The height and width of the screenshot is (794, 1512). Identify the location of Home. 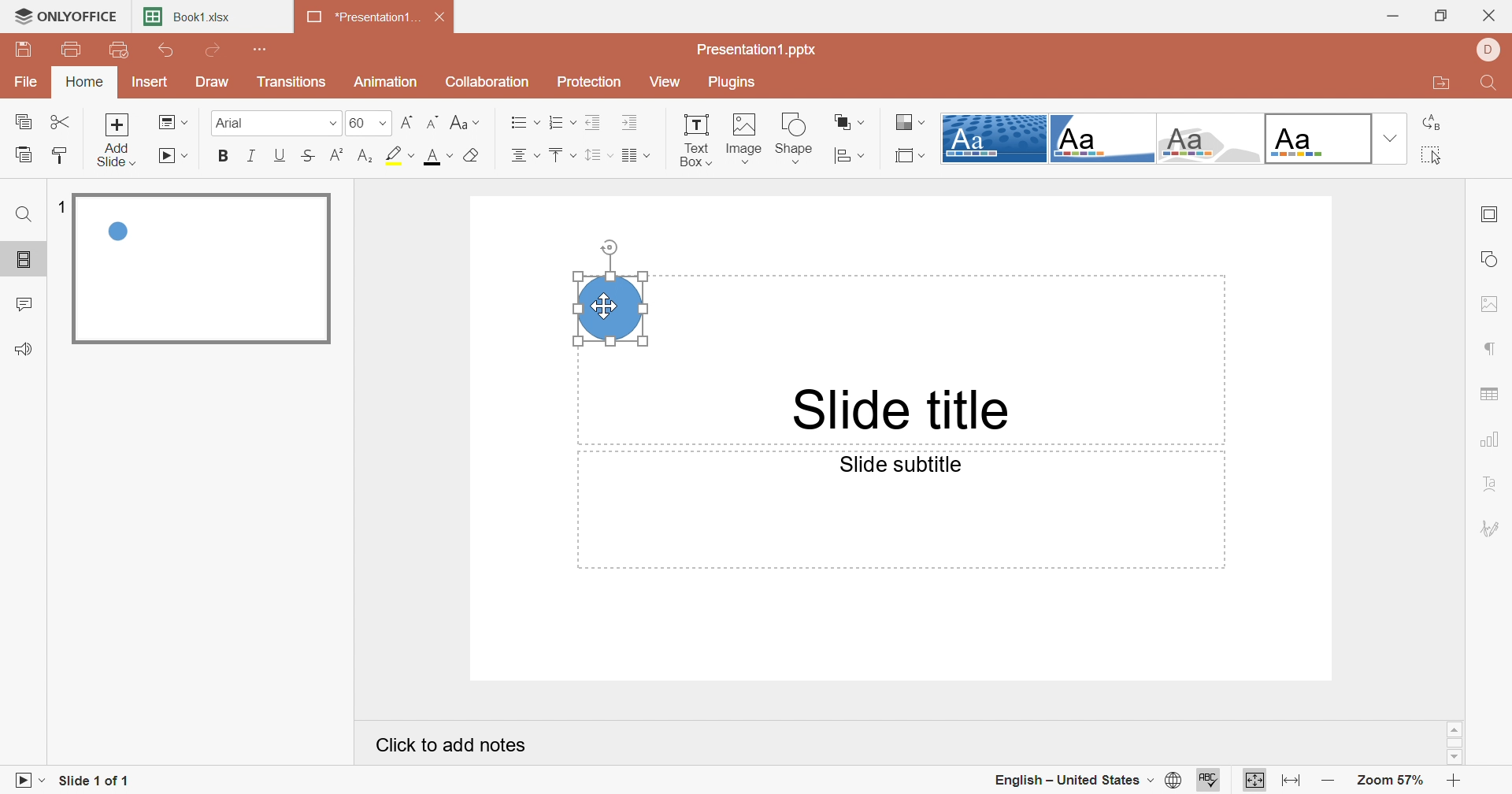
(84, 81).